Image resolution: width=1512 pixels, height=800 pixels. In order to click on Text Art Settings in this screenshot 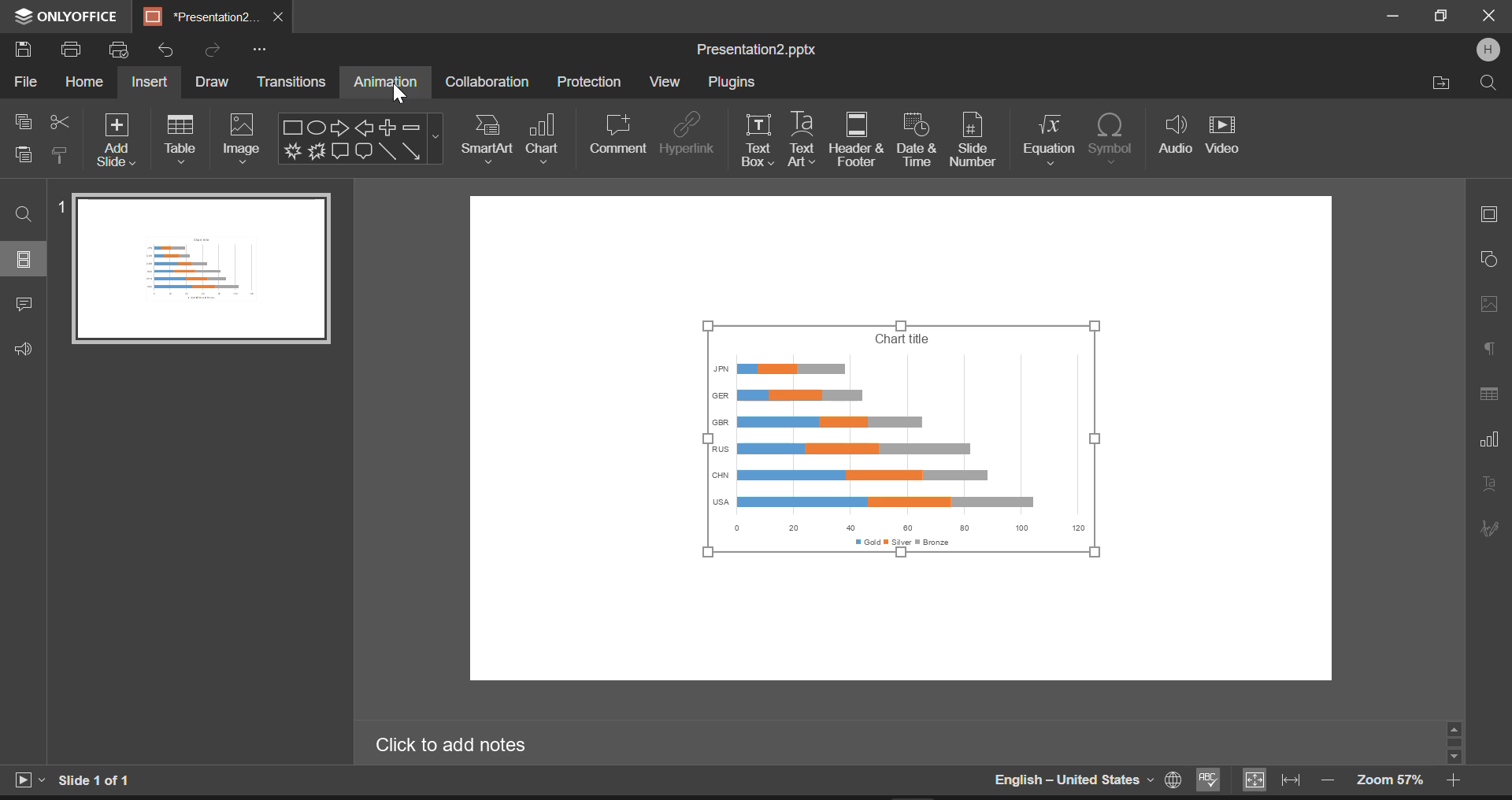, I will do `click(1488, 486)`.